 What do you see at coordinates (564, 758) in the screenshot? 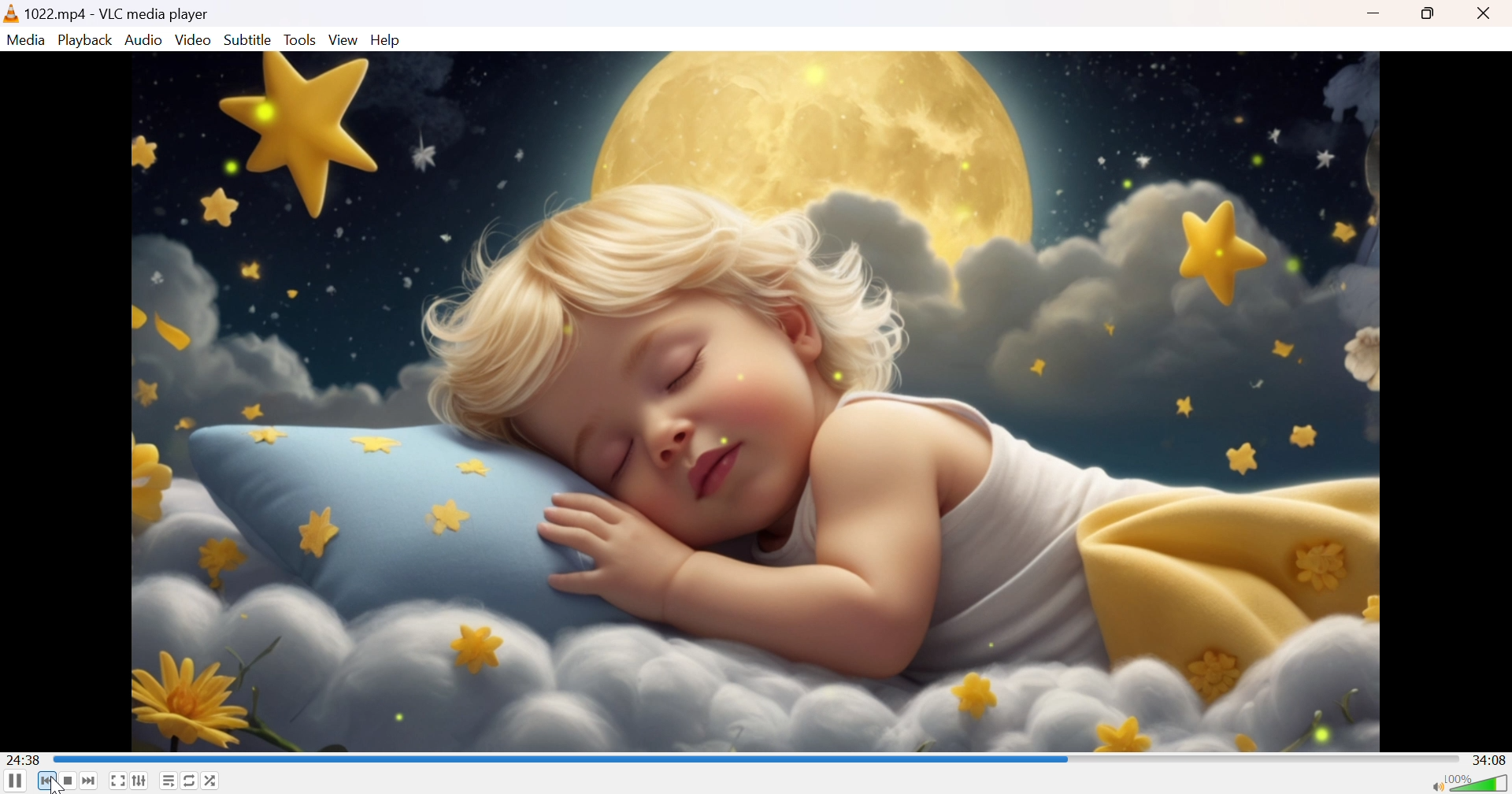
I see `Scroll bar rewound by few seconds` at bounding box center [564, 758].